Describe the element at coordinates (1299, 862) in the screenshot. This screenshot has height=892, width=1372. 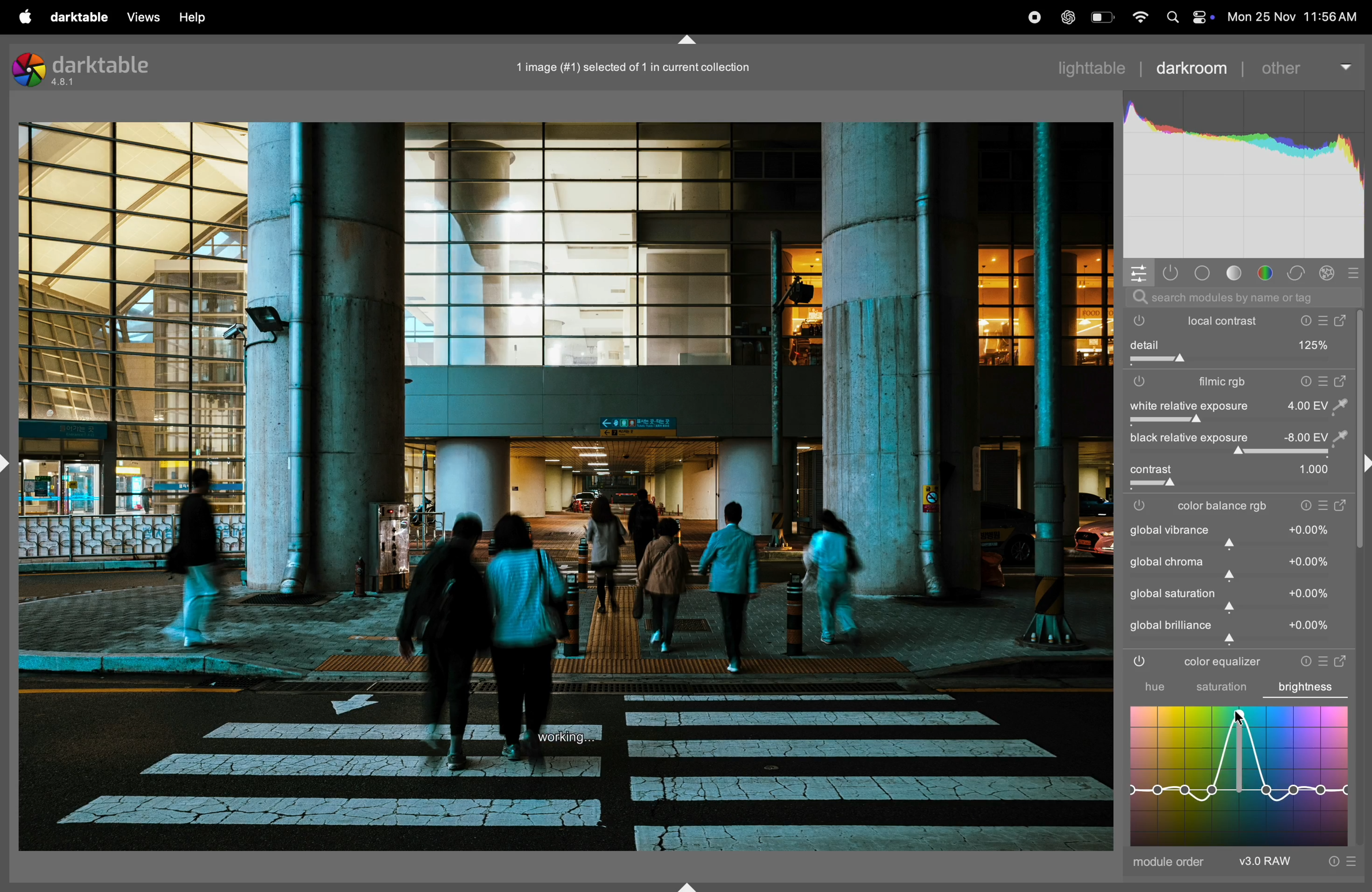
I see `raw` at that location.